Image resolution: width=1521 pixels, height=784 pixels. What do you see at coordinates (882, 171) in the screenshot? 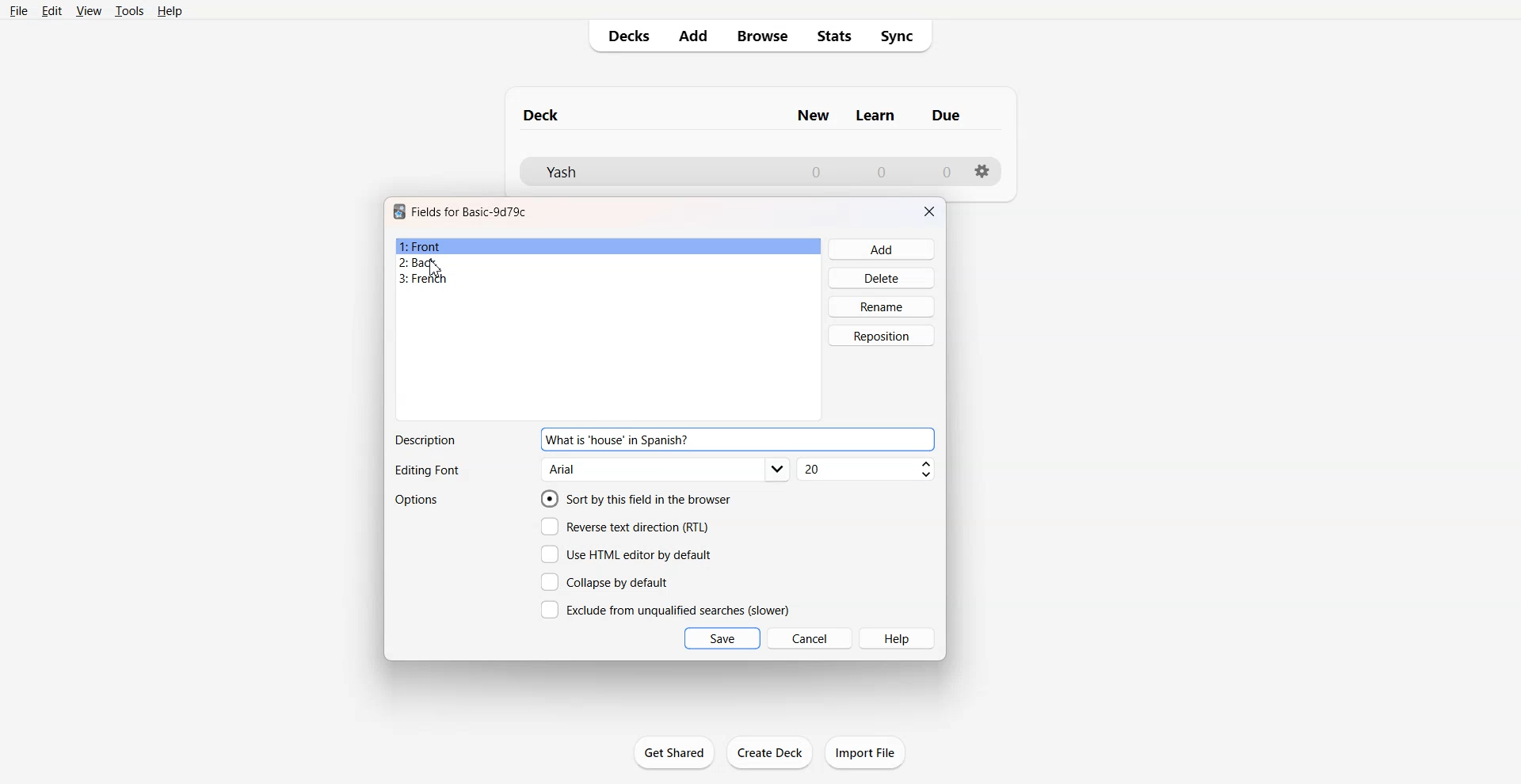
I see `Number of Learn cards` at bounding box center [882, 171].